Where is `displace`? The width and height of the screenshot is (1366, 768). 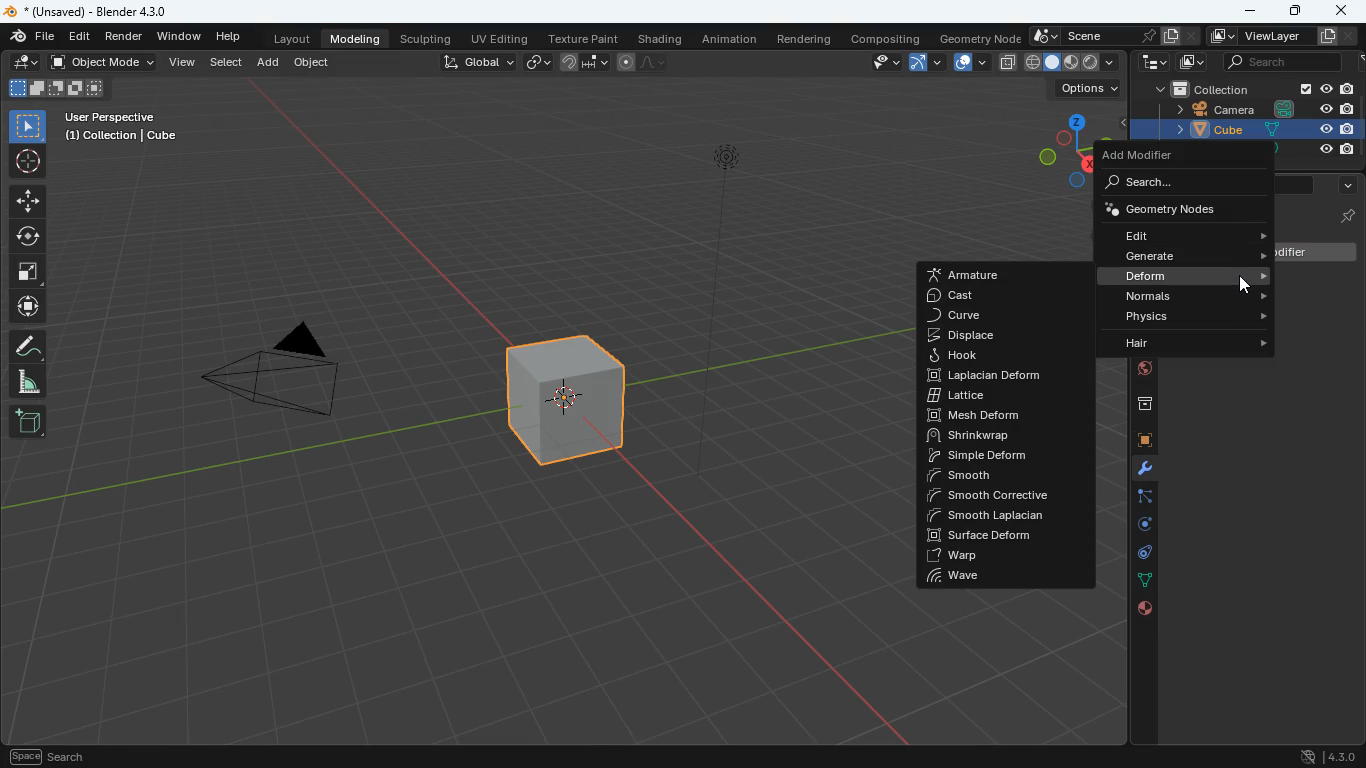
displace is located at coordinates (972, 336).